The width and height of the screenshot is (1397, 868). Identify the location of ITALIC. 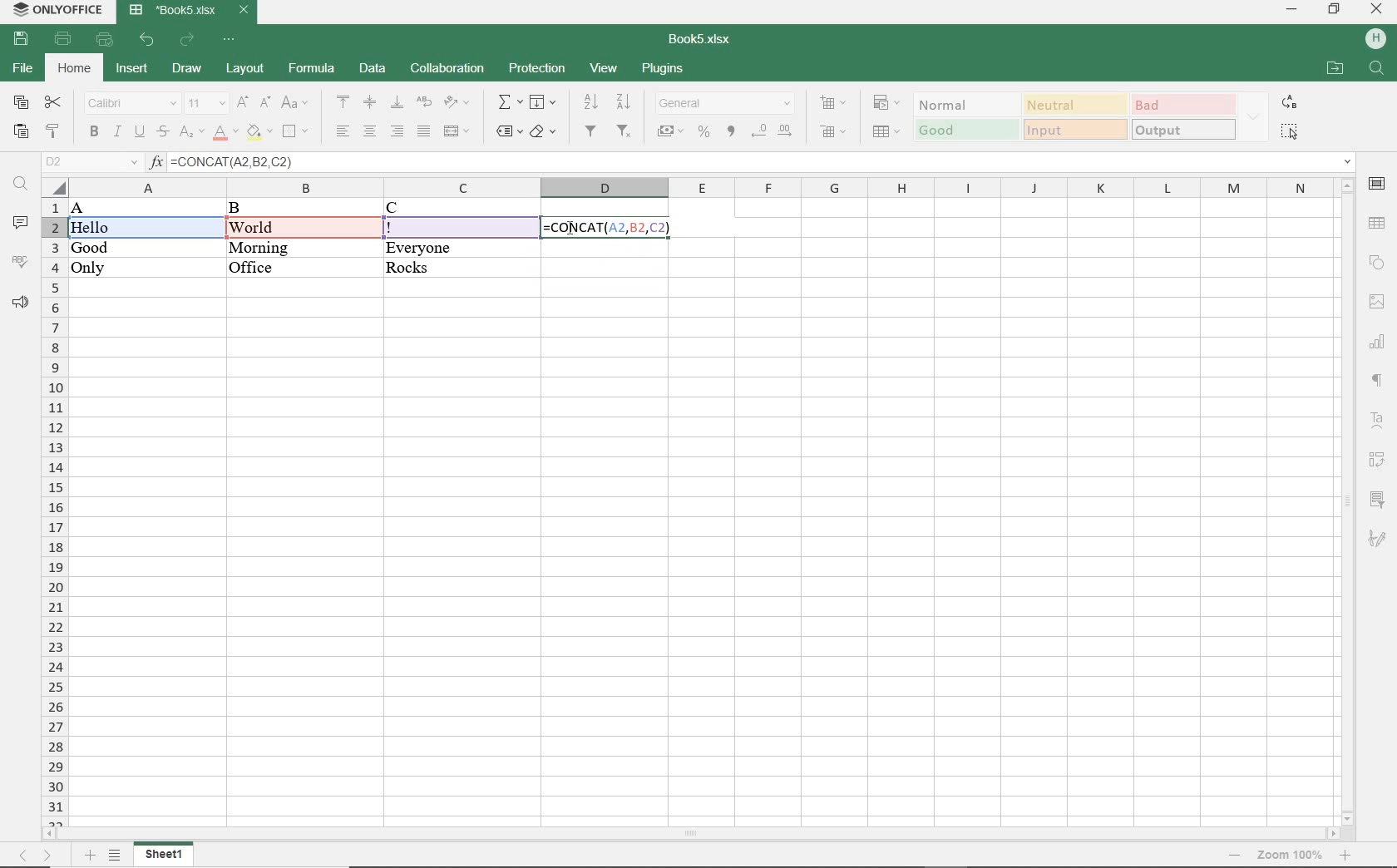
(116, 133).